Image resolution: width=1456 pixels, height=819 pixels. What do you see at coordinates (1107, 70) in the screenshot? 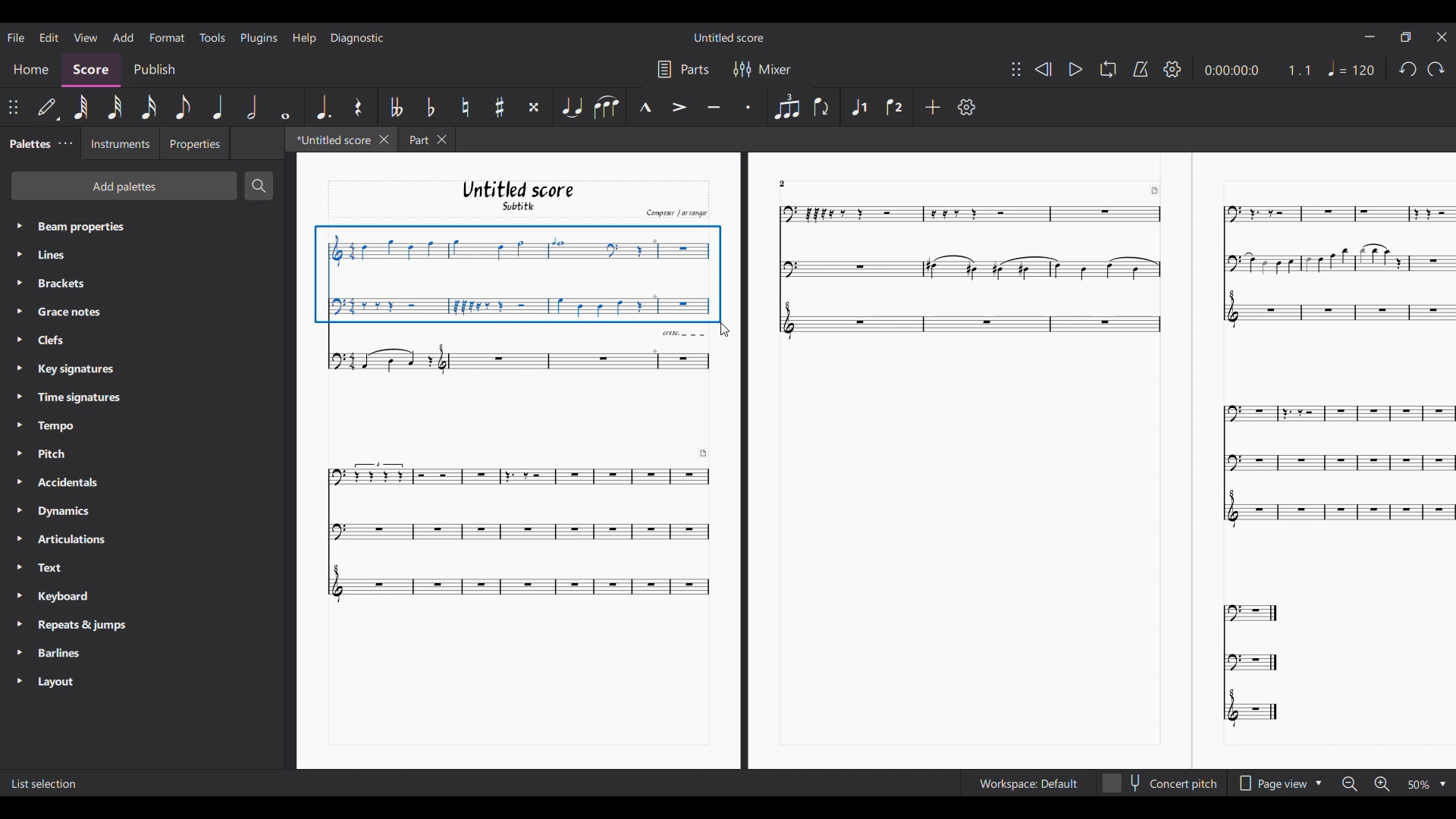
I see `Loop playback` at bounding box center [1107, 70].